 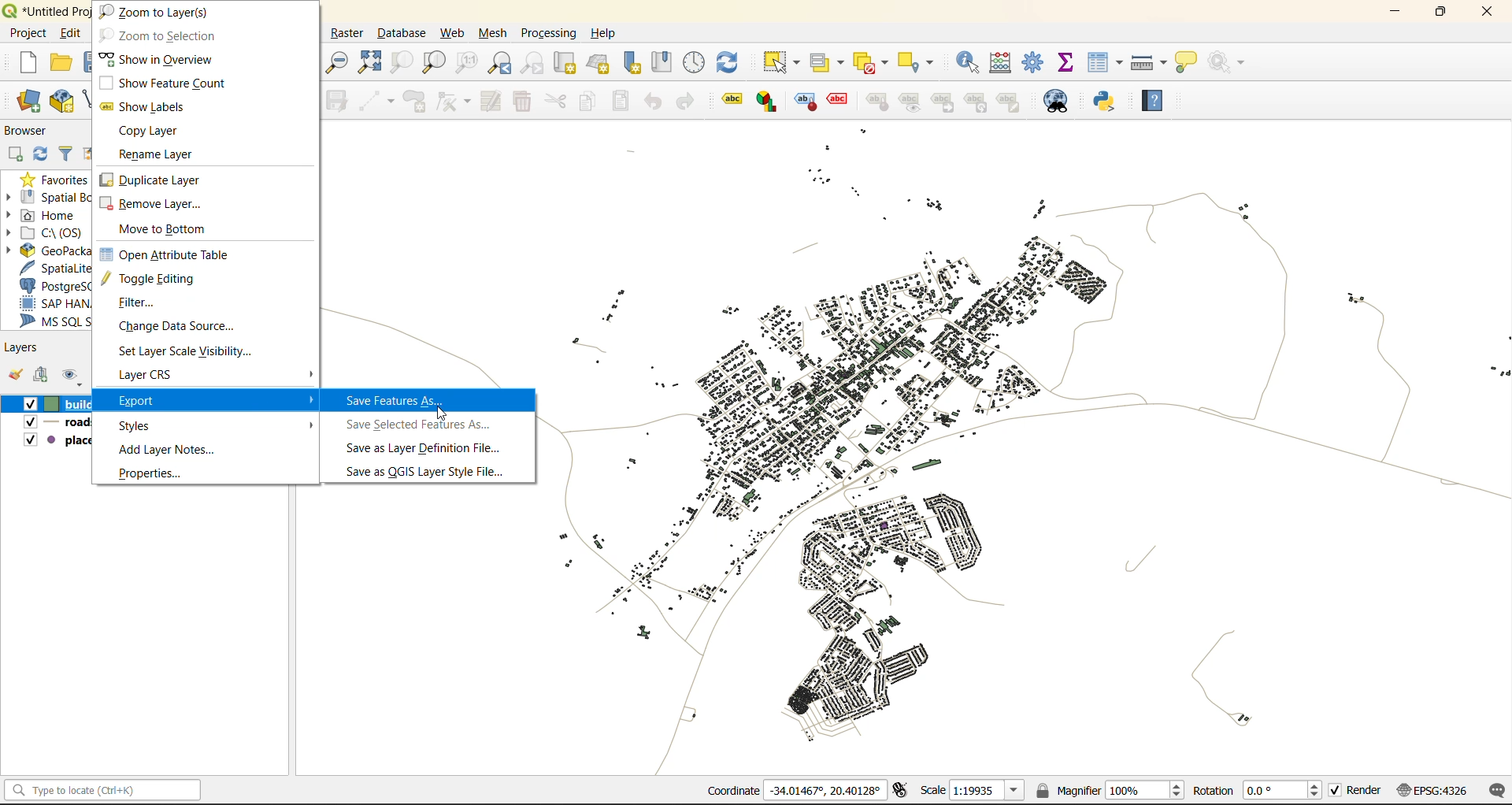 What do you see at coordinates (160, 153) in the screenshot?
I see `rename layer` at bounding box center [160, 153].